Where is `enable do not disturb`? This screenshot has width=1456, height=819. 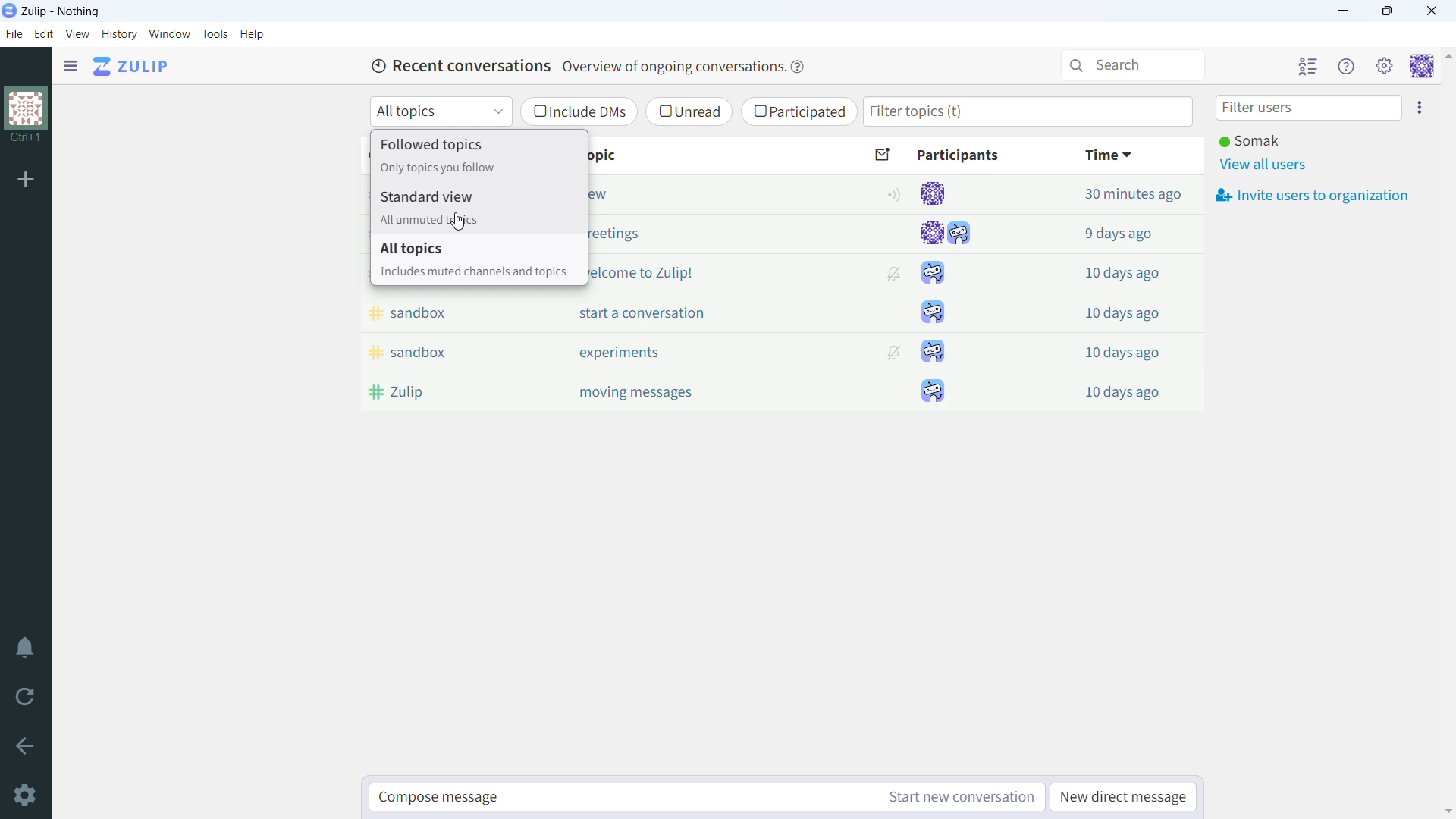
enable do not disturb is located at coordinates (27, 648).